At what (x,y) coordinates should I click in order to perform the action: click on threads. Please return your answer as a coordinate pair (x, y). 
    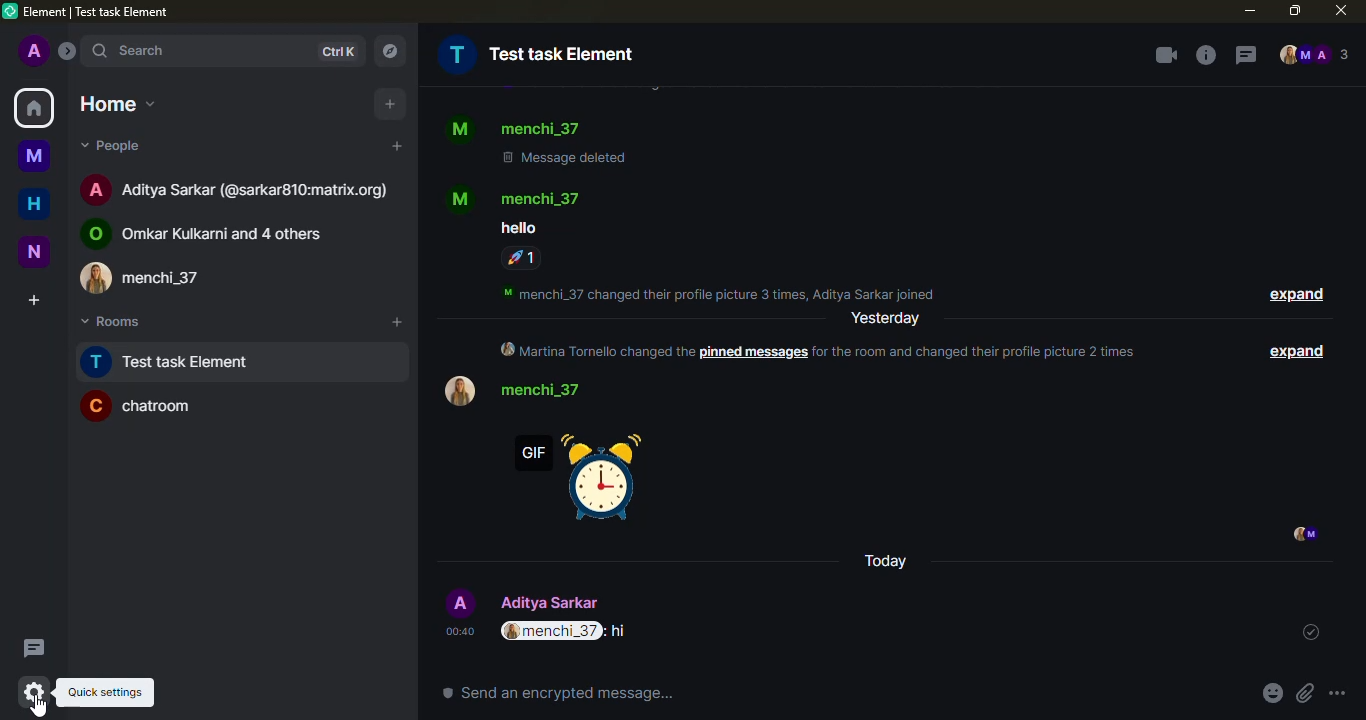
    Looking at the image, I should click on (32, 647).